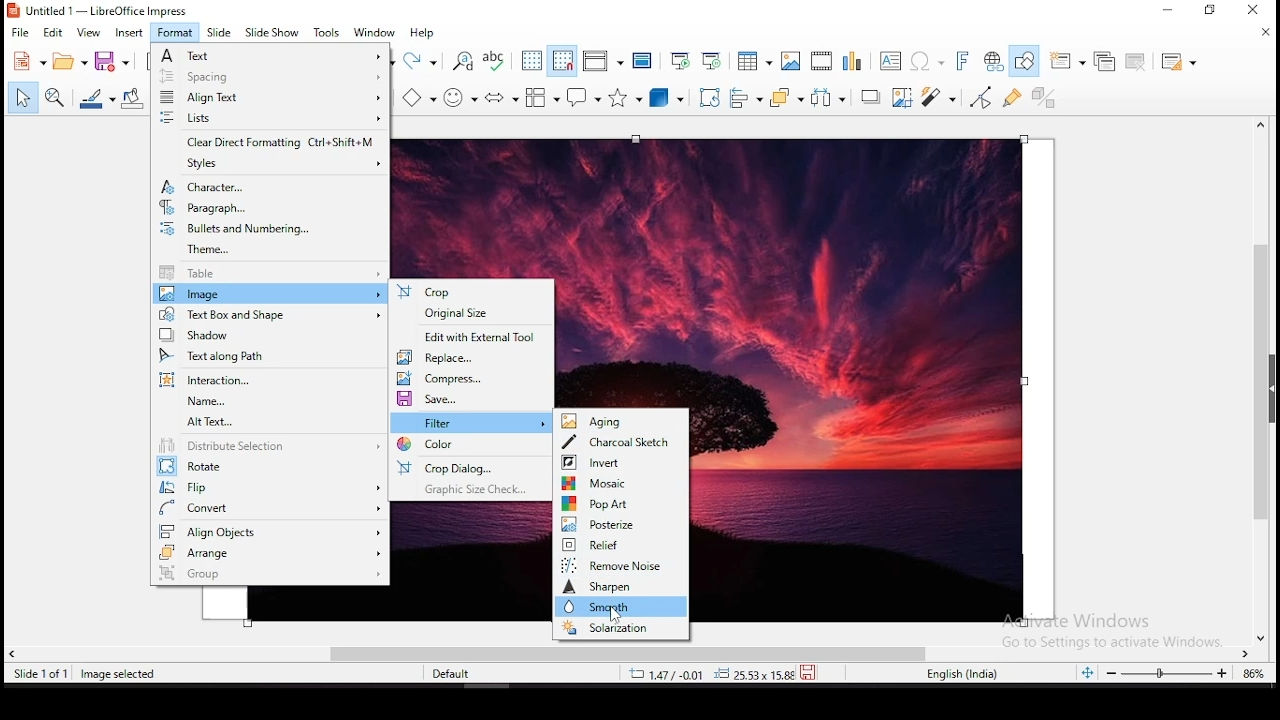 This screenshot has width=1280, height=720. I want to click on original size, so click(475, 316).